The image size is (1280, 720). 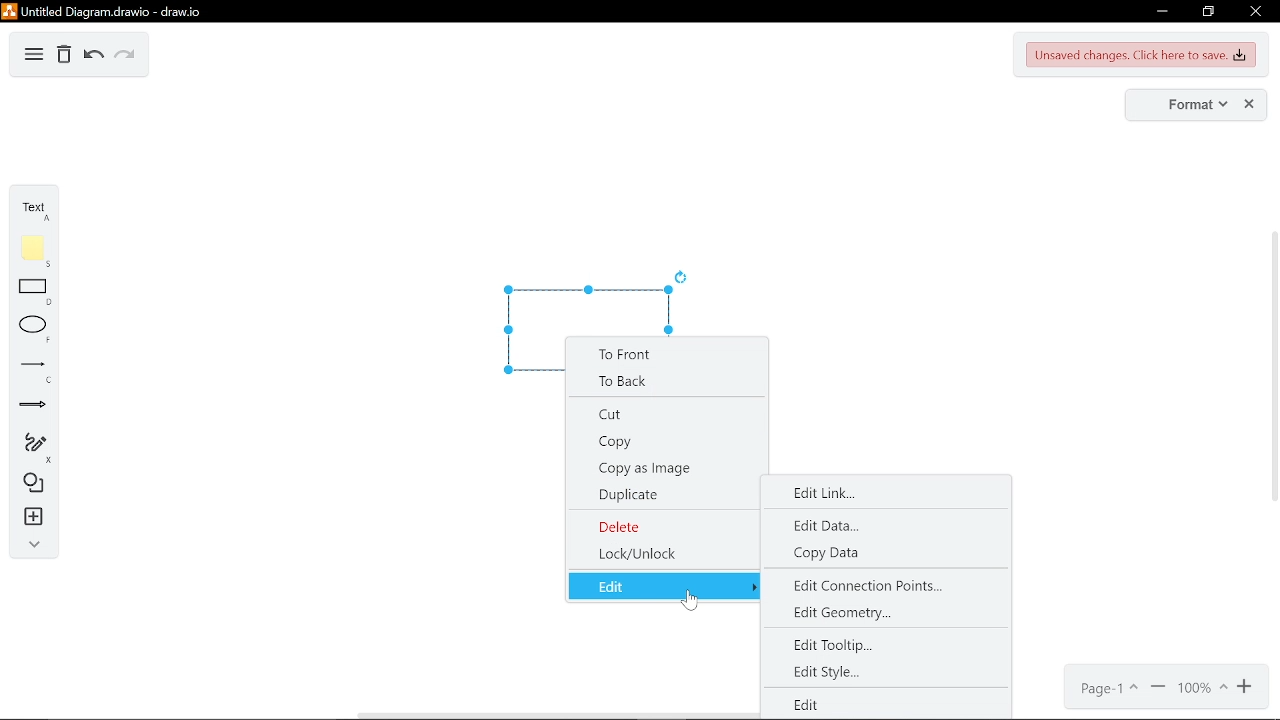 What do you see at coordinates (1160, 13) in the screenshot?
I see `minimize` at bounding box center [1160, 13].